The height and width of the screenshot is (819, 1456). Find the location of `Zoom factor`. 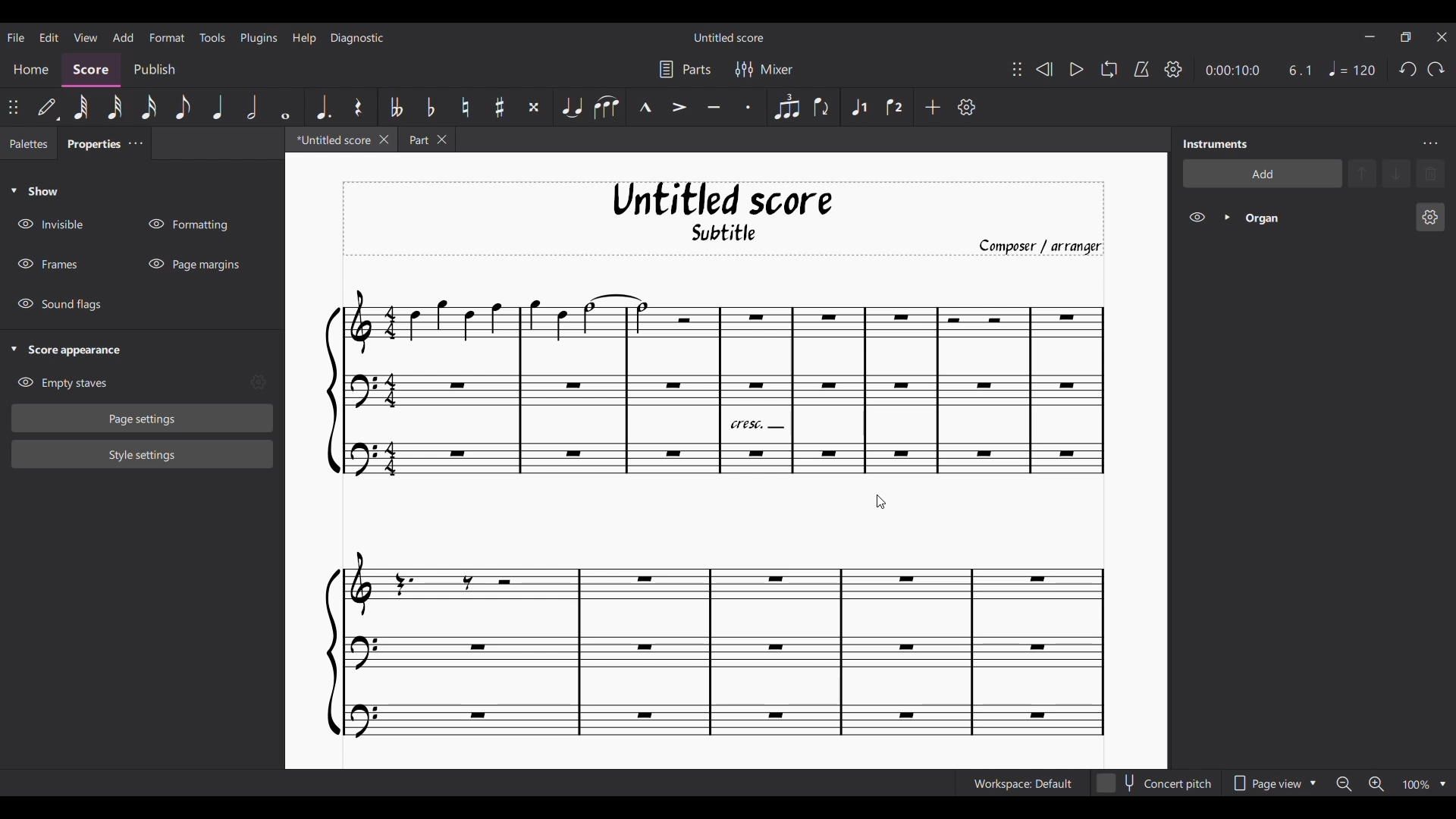

Zoom factor is located at coordinates (1416, 785).